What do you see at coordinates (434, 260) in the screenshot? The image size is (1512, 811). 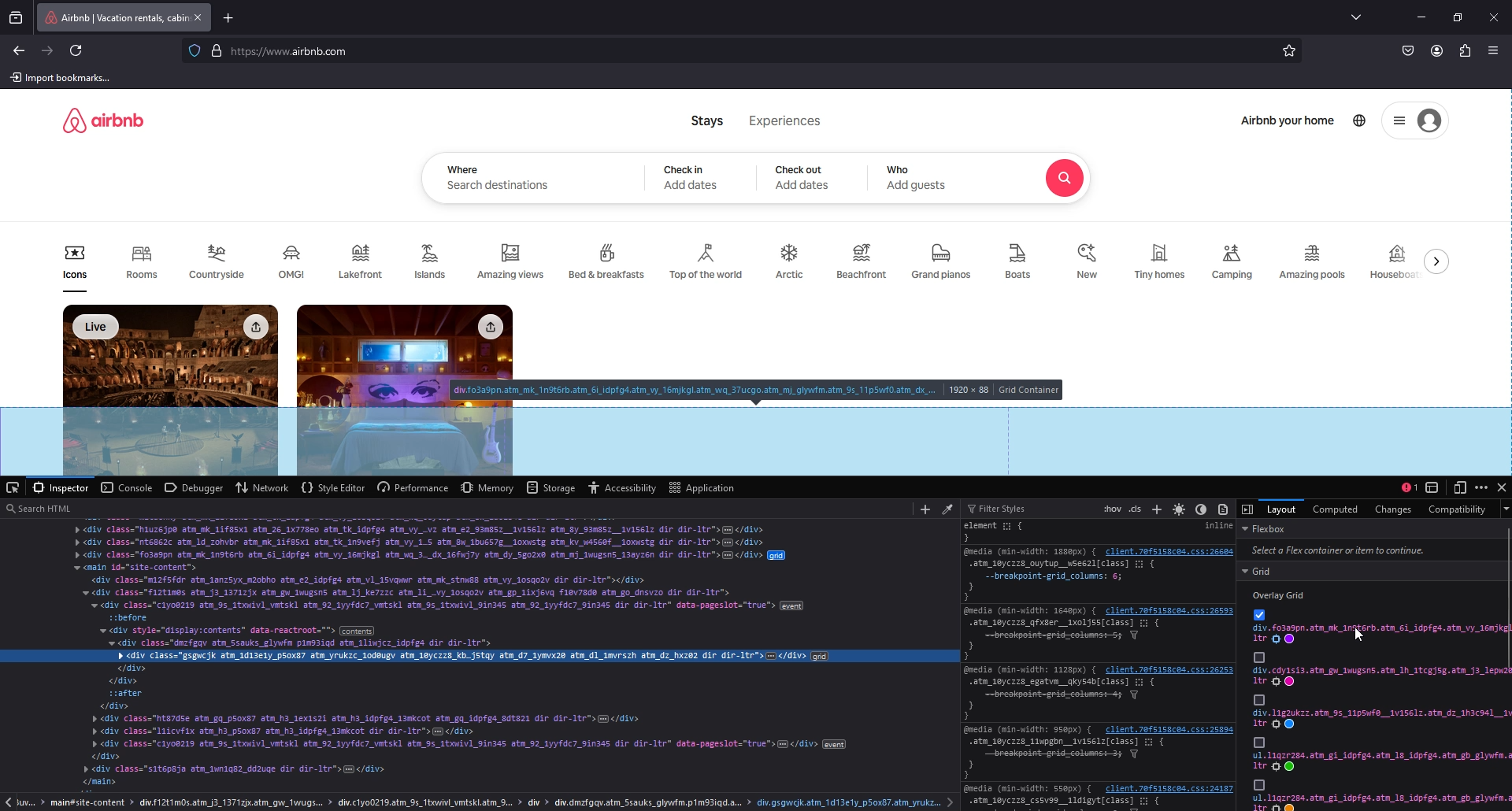 I see `Islands` at bounding box center [434, 260].